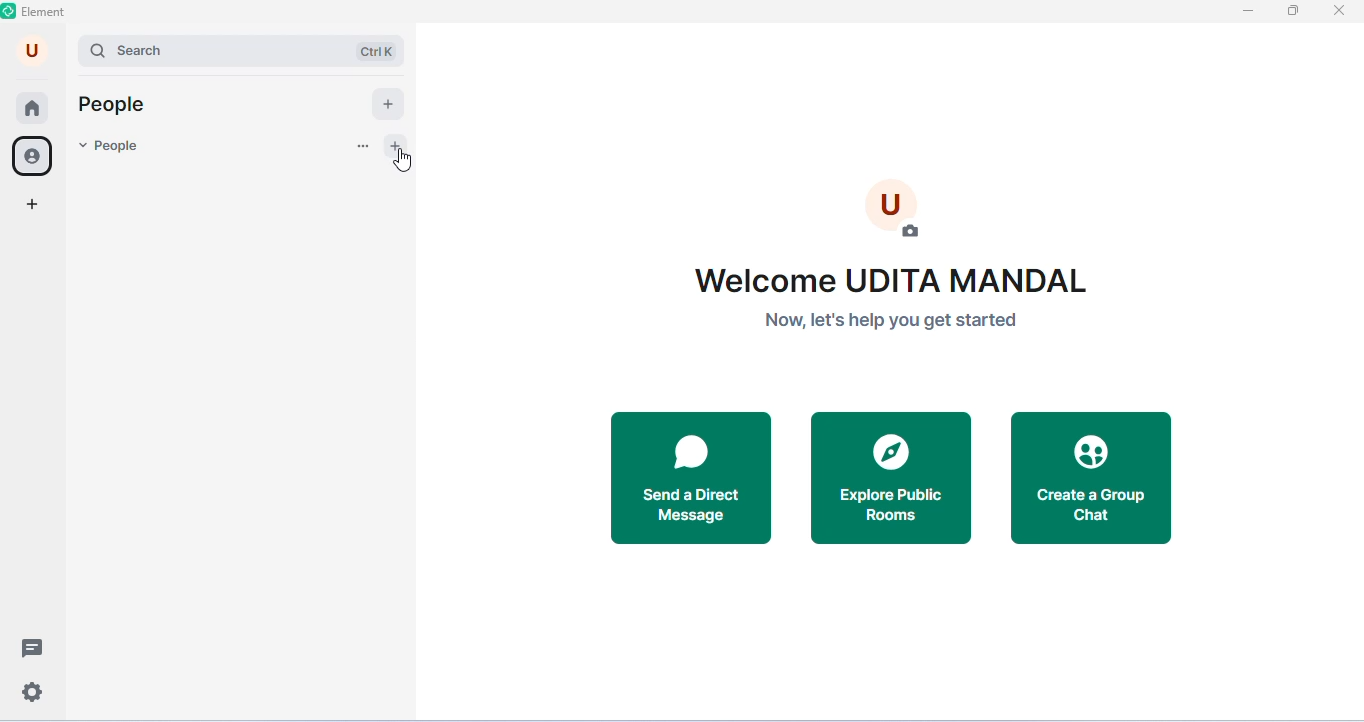 The height and width of the screenshot is (722, 1364). I want to click on maximize, so click(1292, 10).